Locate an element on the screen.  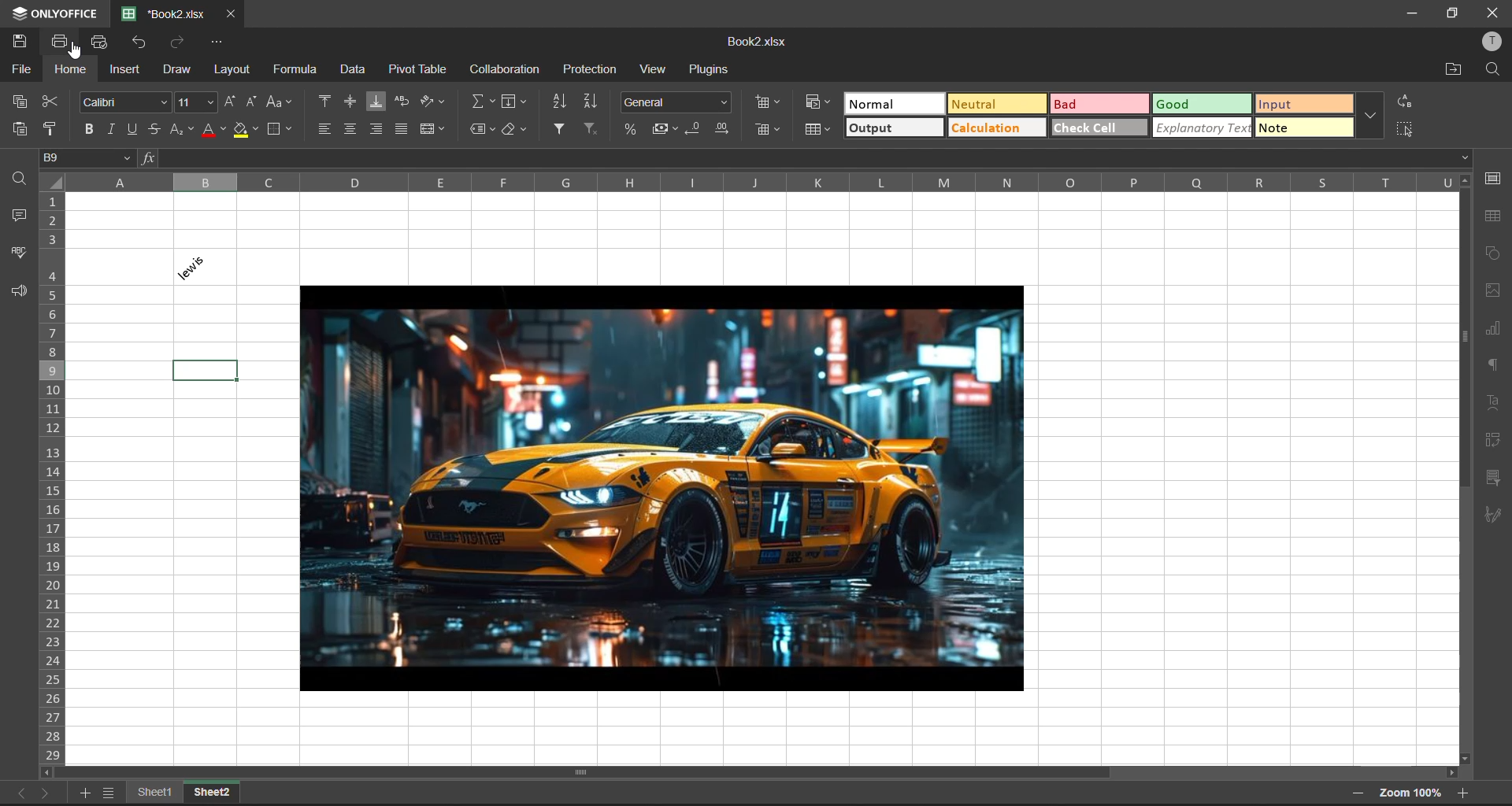
increase decimal is located at coordinates (721, 128).